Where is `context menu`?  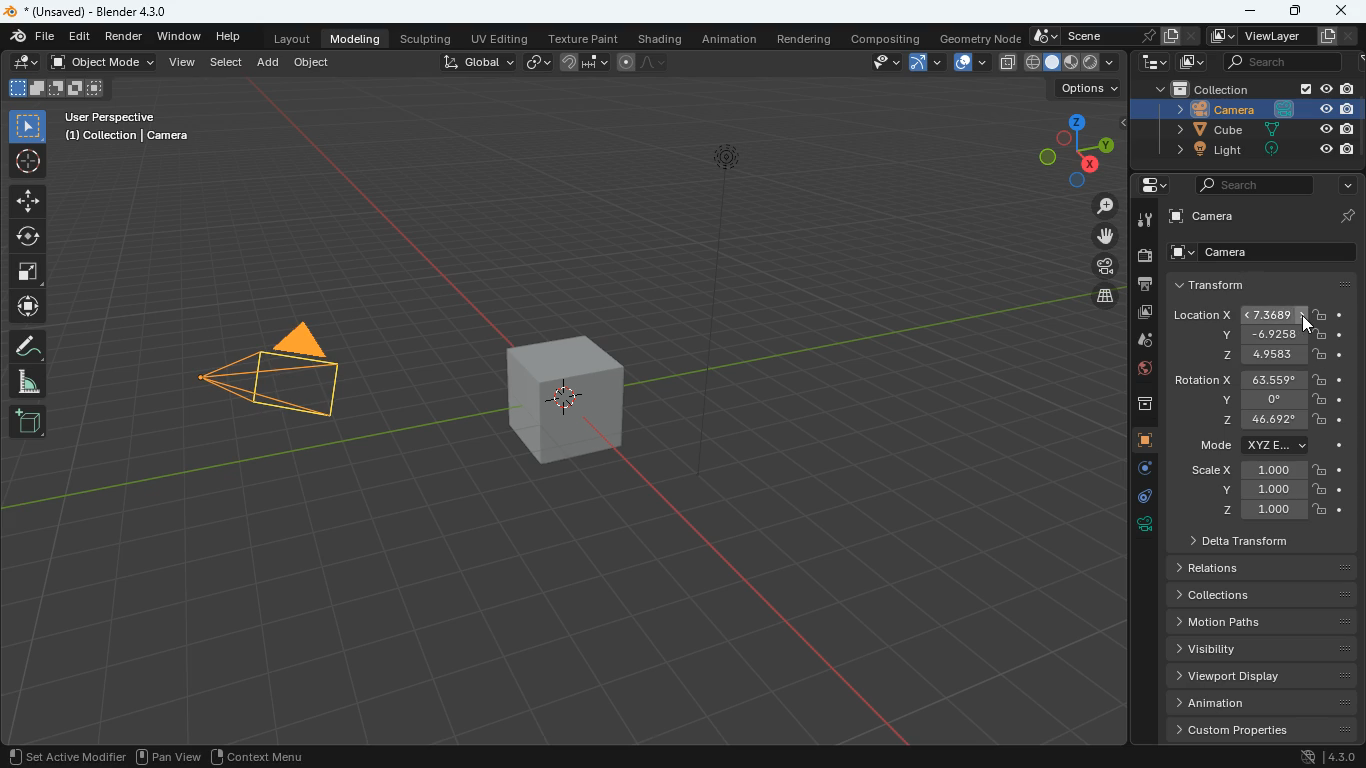
context menu is located at coordinates (262, 755).